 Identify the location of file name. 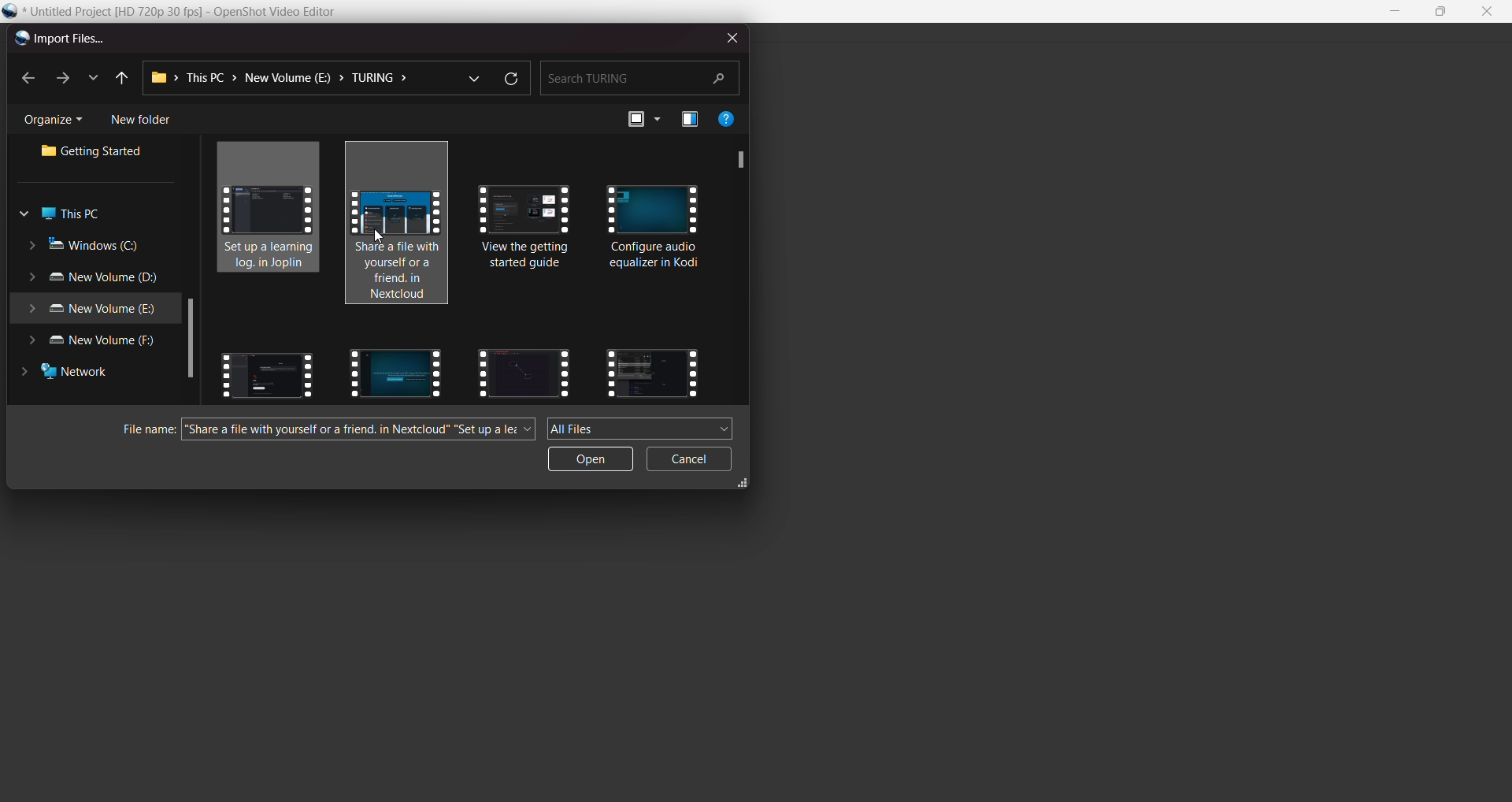
(141, 430).